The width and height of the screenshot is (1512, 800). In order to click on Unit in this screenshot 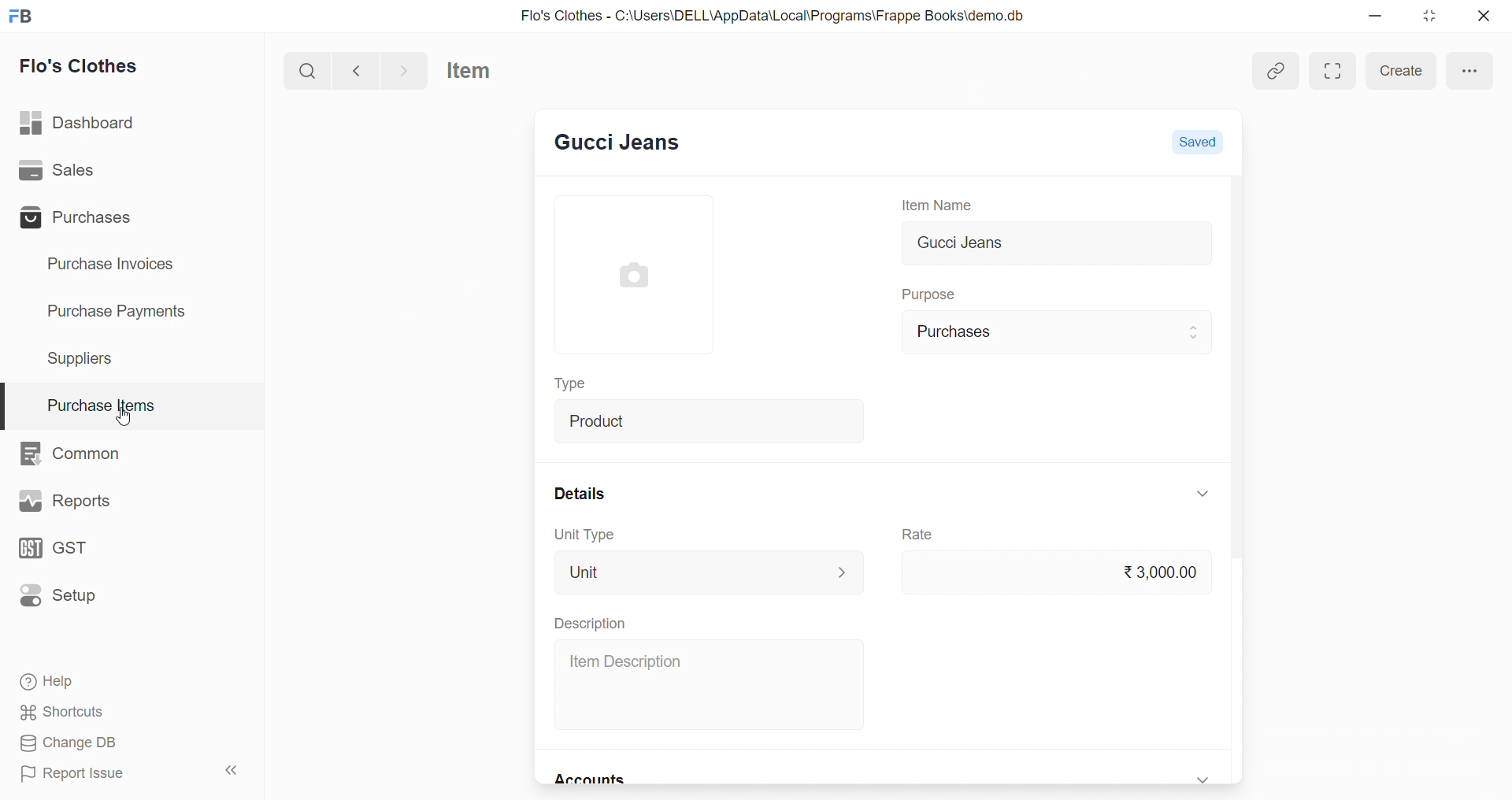, I will do `click(710, 572)`.